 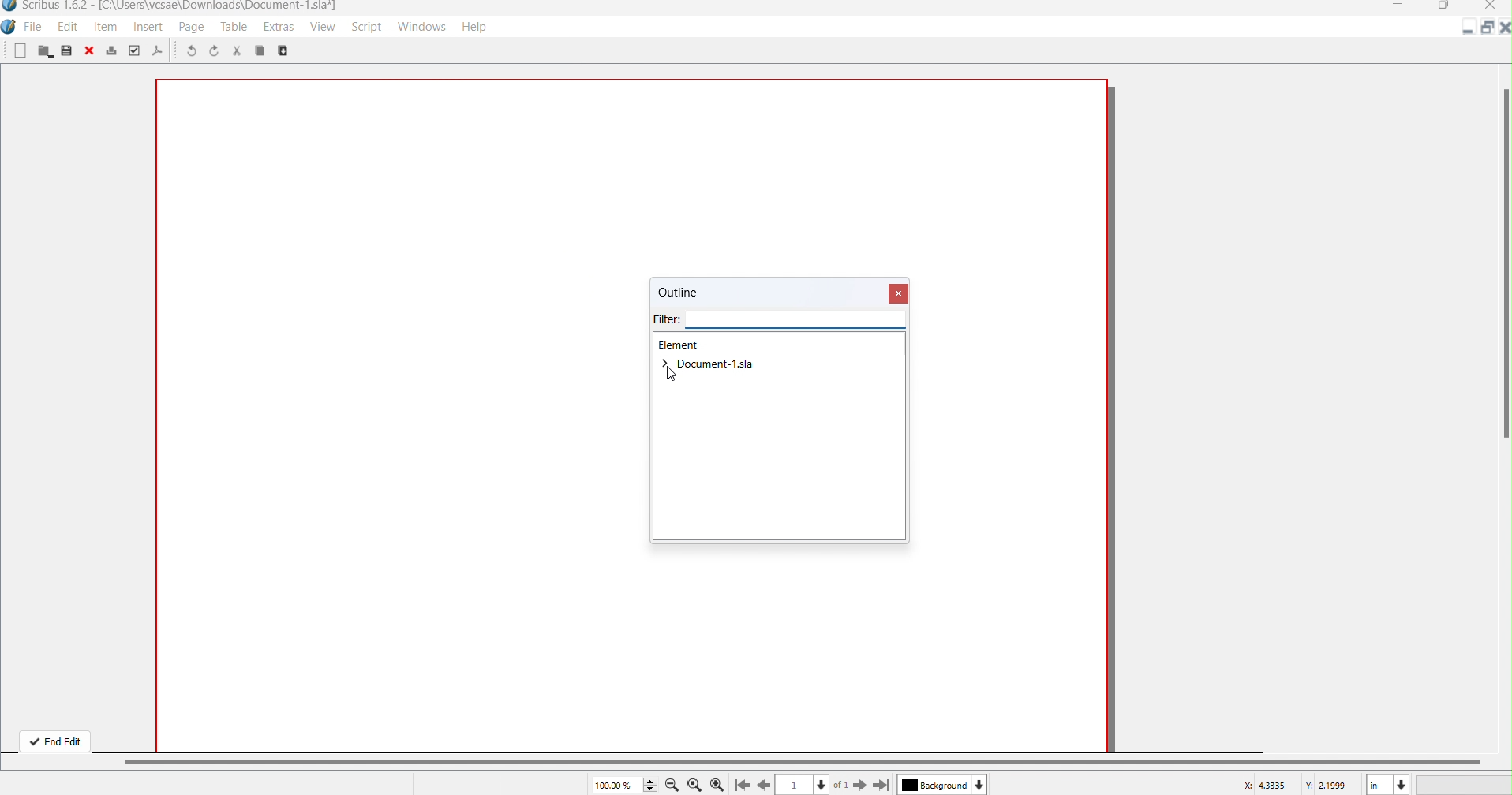 I want to click on , so click(x=68, y=50).